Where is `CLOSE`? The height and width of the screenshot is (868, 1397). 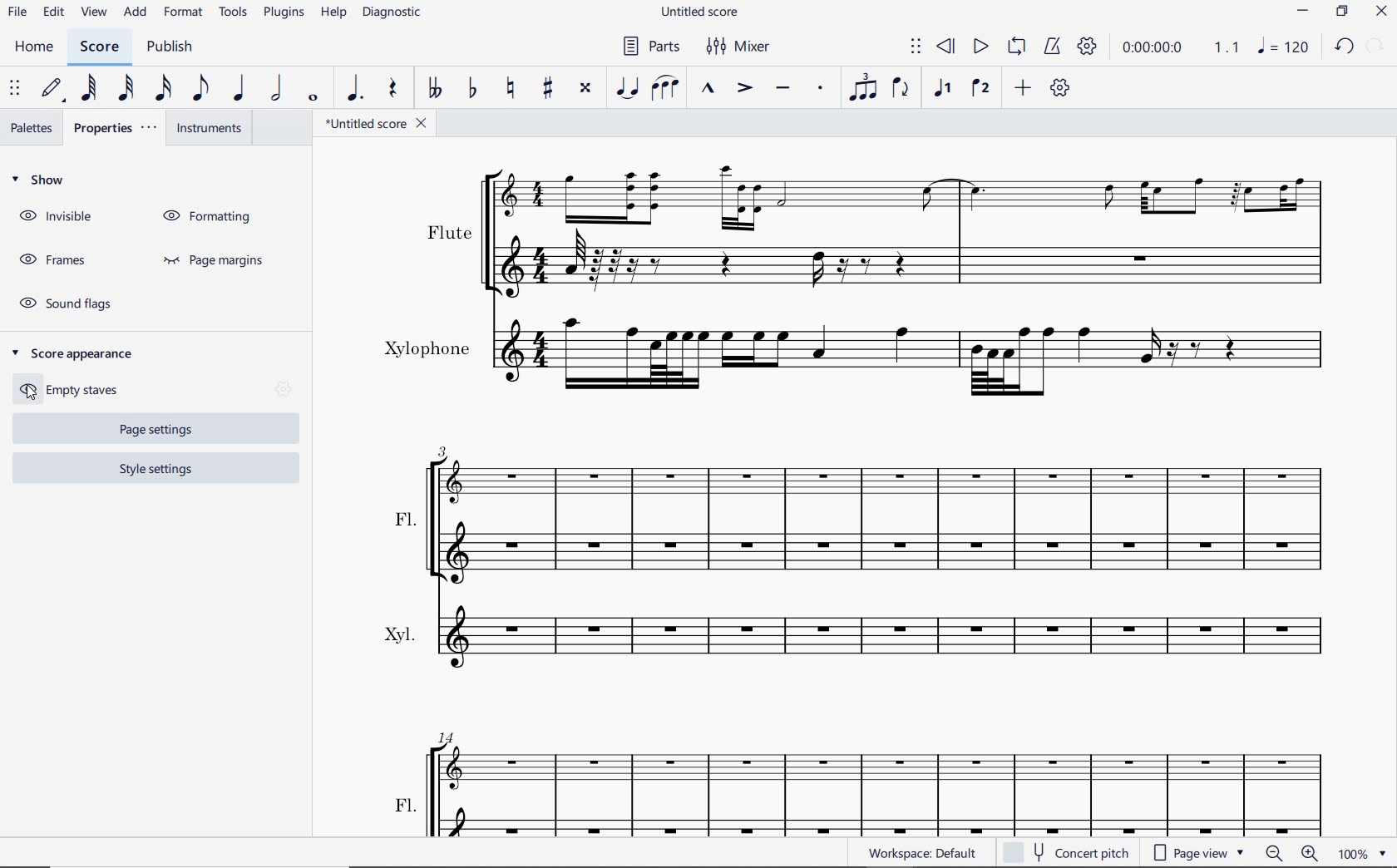
CLOSE is located at coordinates (1380, 12).